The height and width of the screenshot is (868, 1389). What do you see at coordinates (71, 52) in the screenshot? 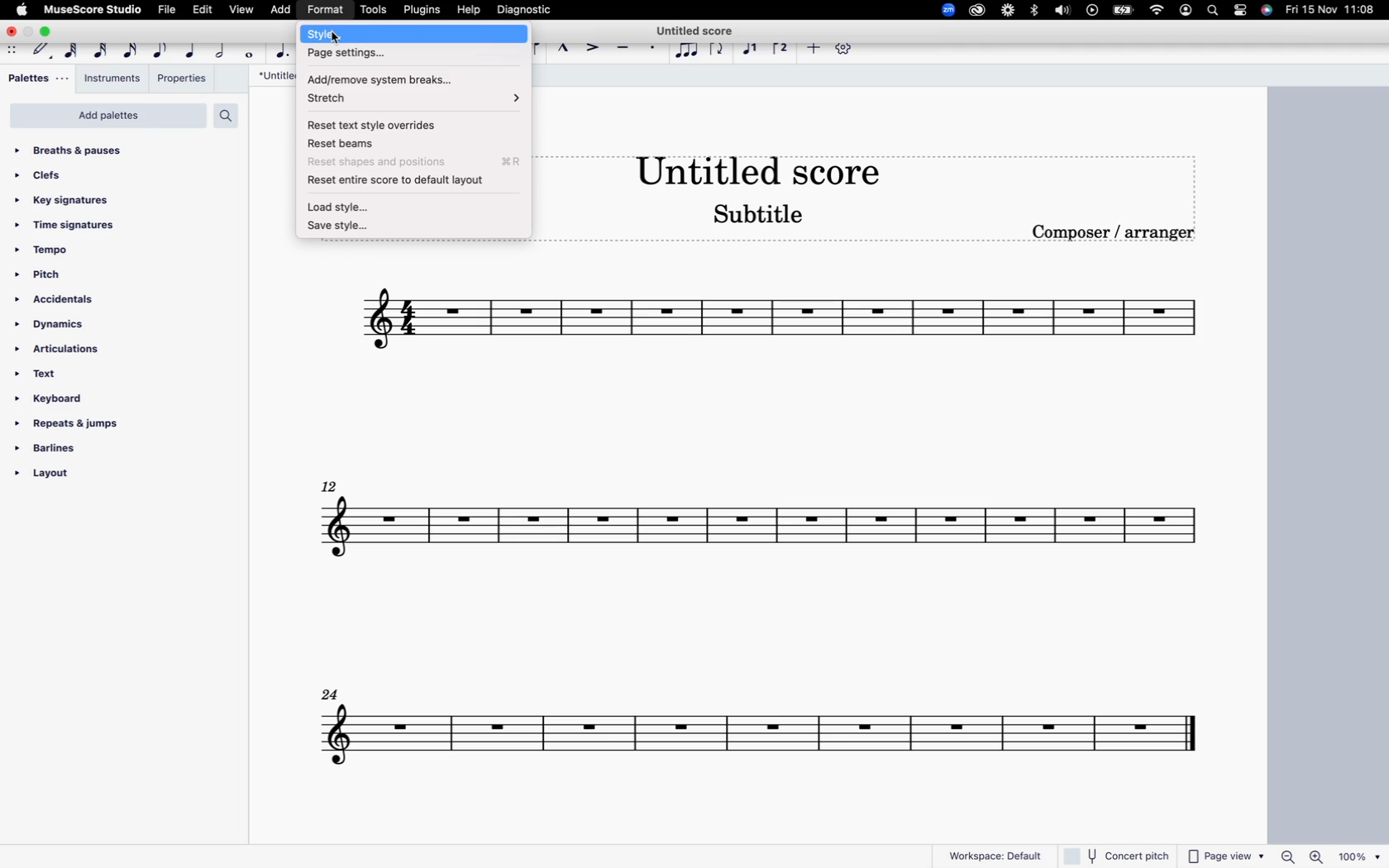
I see `64th note` at bounding box center [71, 52].